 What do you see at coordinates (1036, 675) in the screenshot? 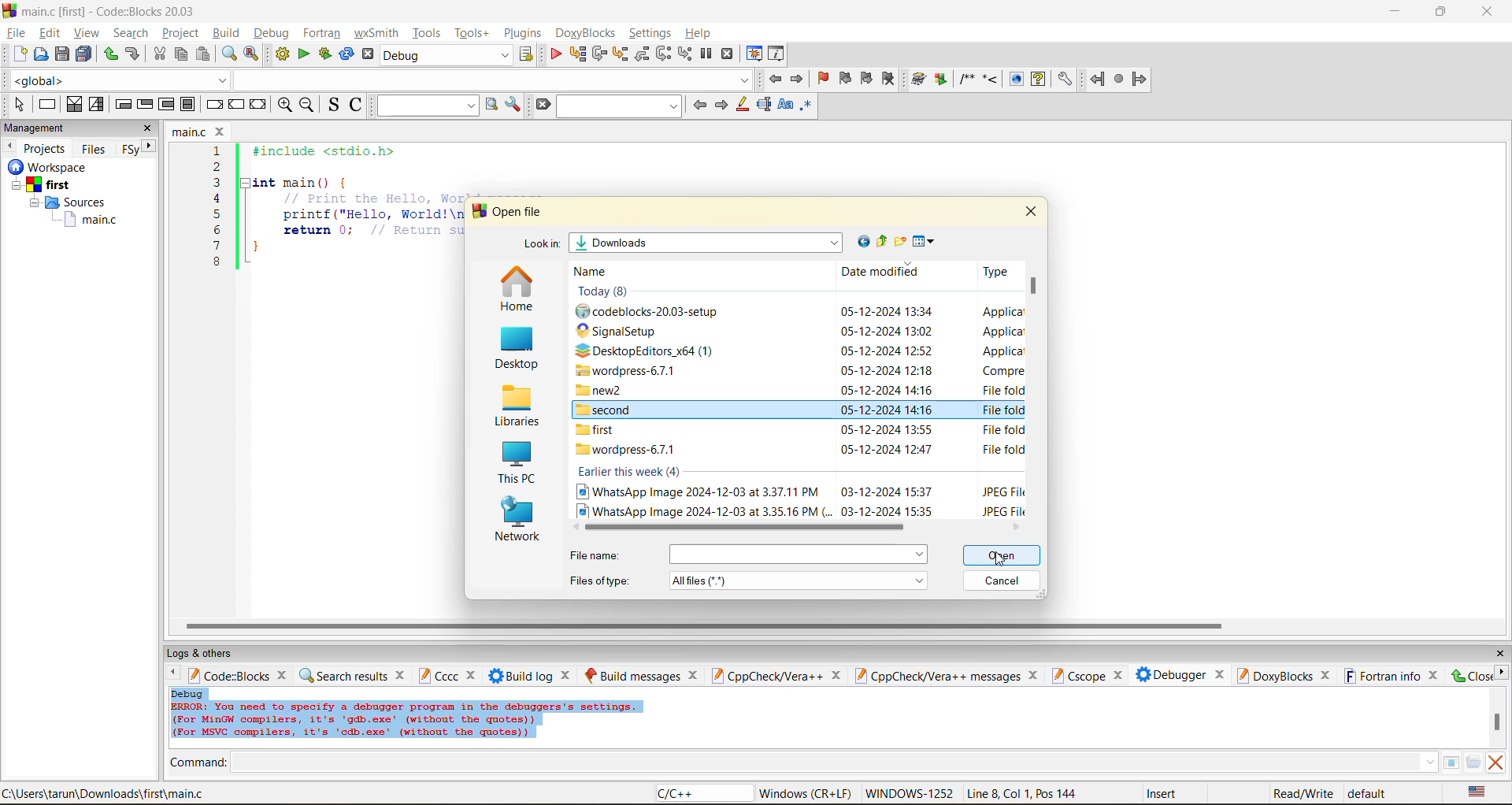
I see `close` at bounding box center [1036, 675].